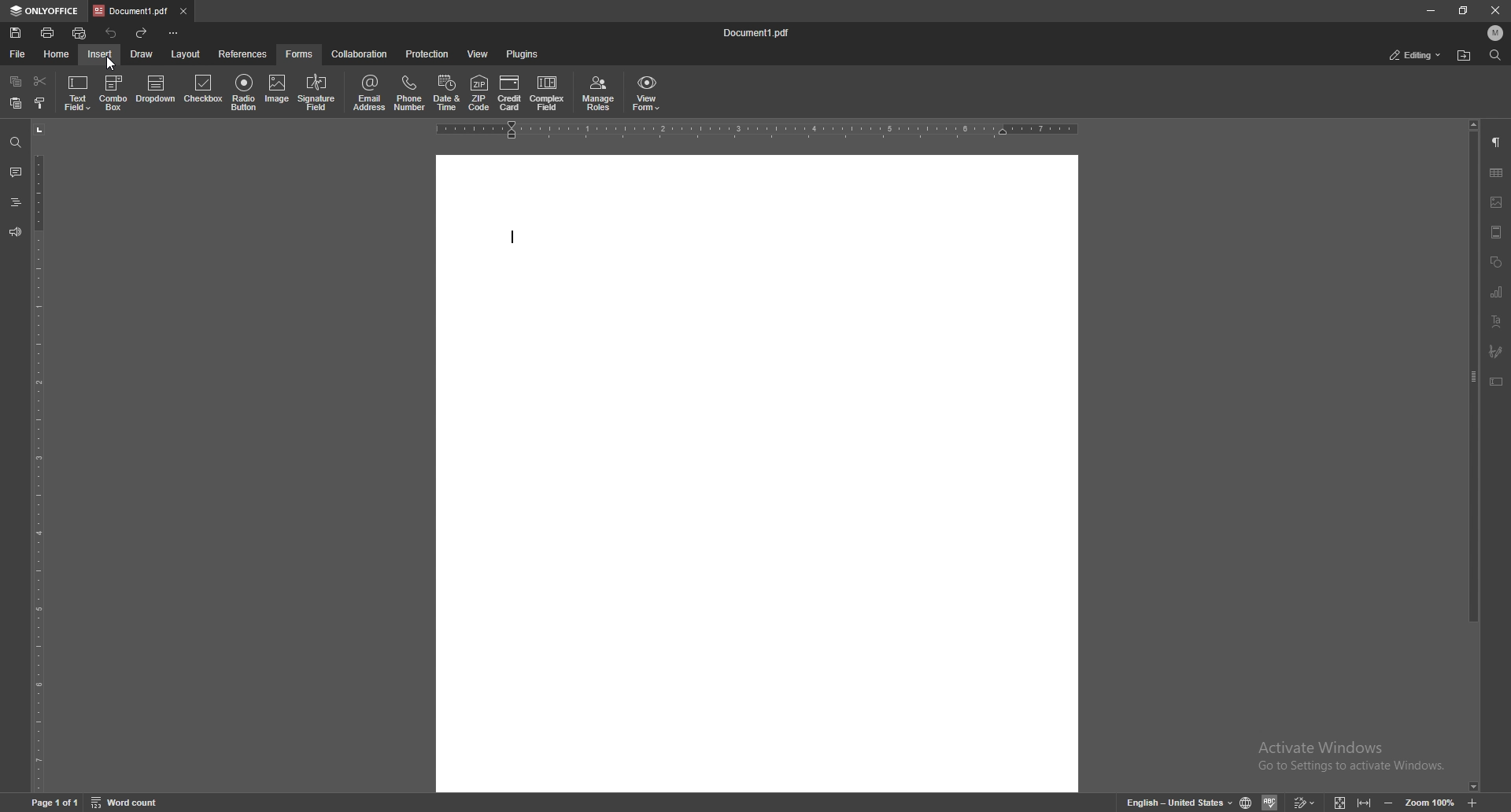 Image resolution: width=1511 pixels, height=812 pixels. Describe the element at coordinates (54, 53) in the screenshot. I see `home` at that location.